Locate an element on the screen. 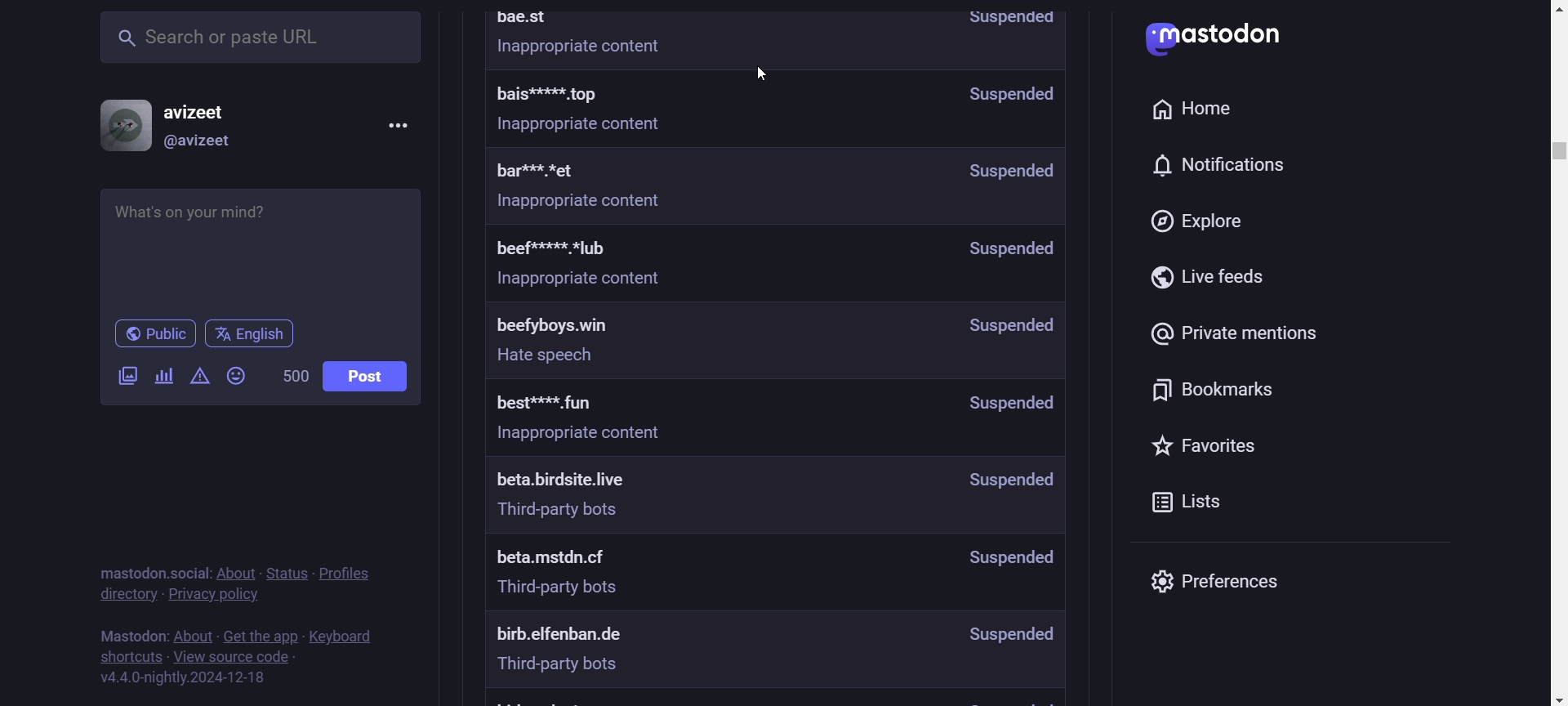 The image size is (1568, 706). Language is located at coordinates (249, 334).